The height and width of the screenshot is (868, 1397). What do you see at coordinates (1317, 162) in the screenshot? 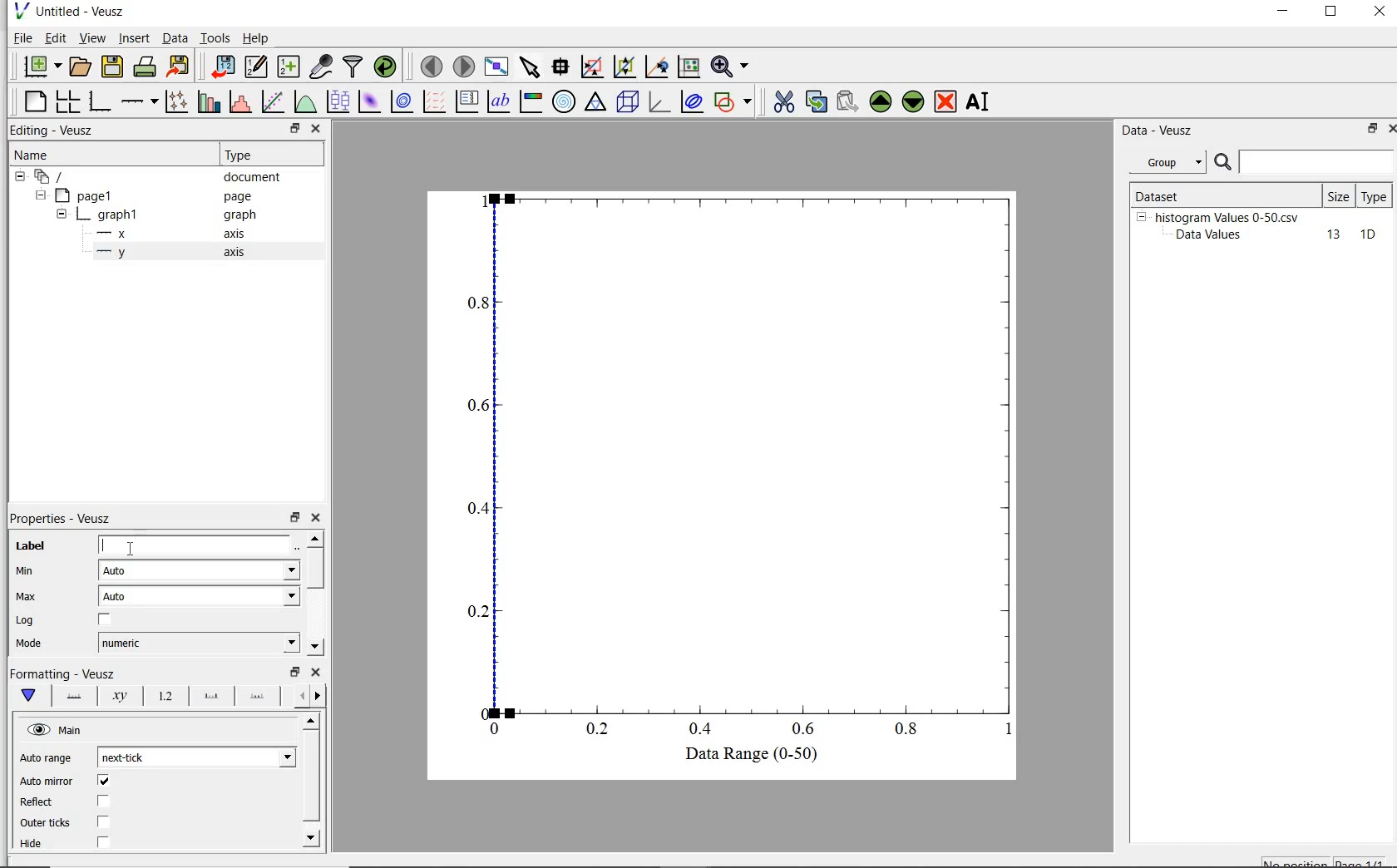
I see `search for dataset names` at bounding box center [1317, 162].